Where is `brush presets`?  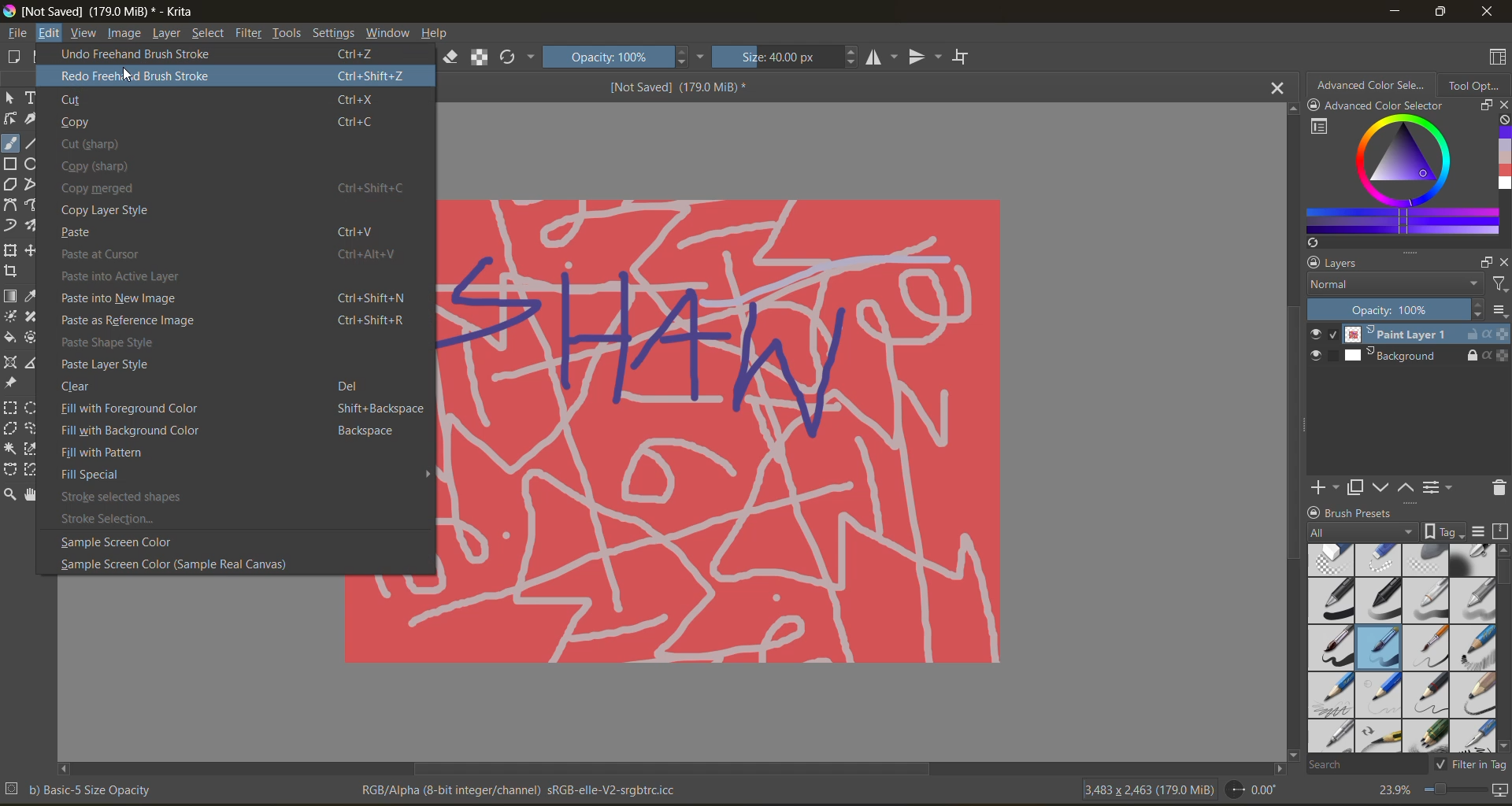
brush presets is located at coordinates (1365, 512).